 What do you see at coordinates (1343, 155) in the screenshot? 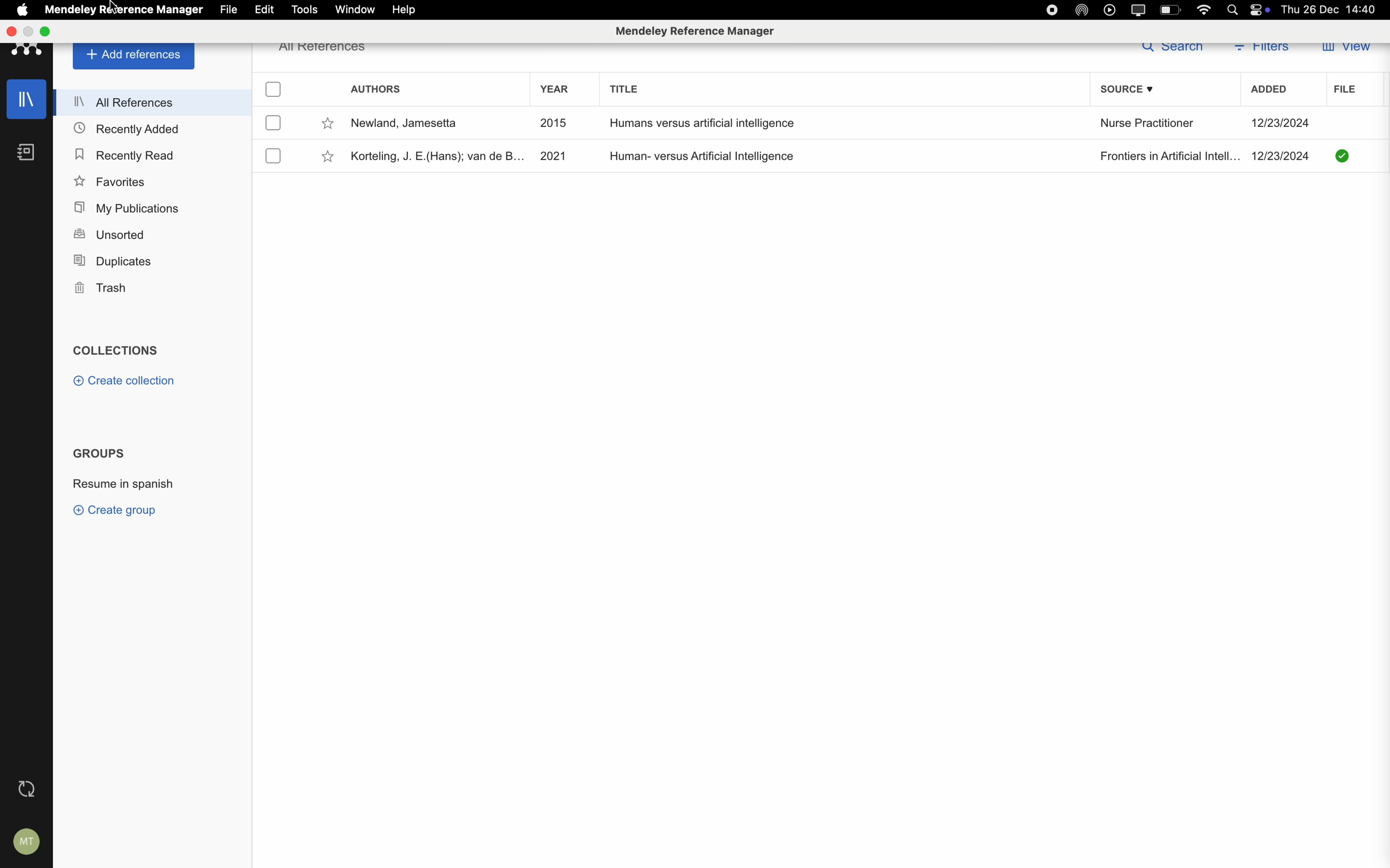
I see `file downloaded` at bounding box center [1343, 155].